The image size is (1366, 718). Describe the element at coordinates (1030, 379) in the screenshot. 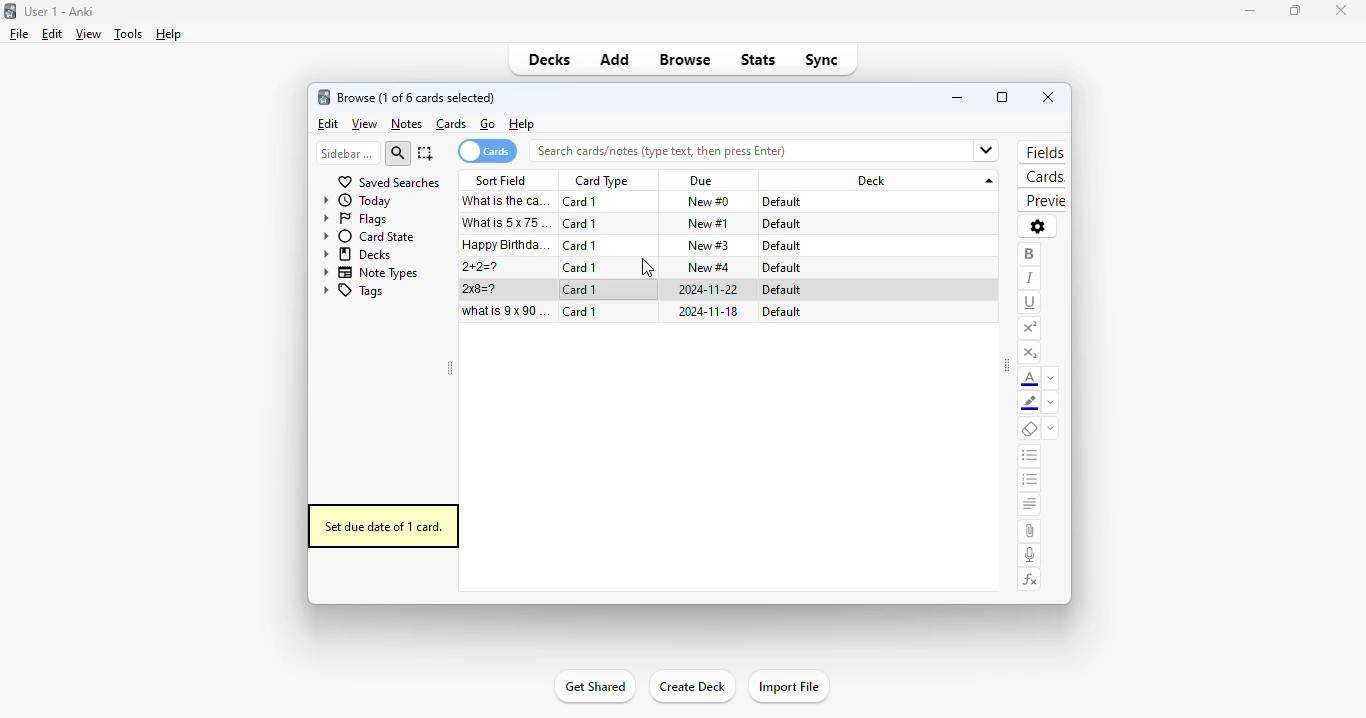

I see `text color` at that location.